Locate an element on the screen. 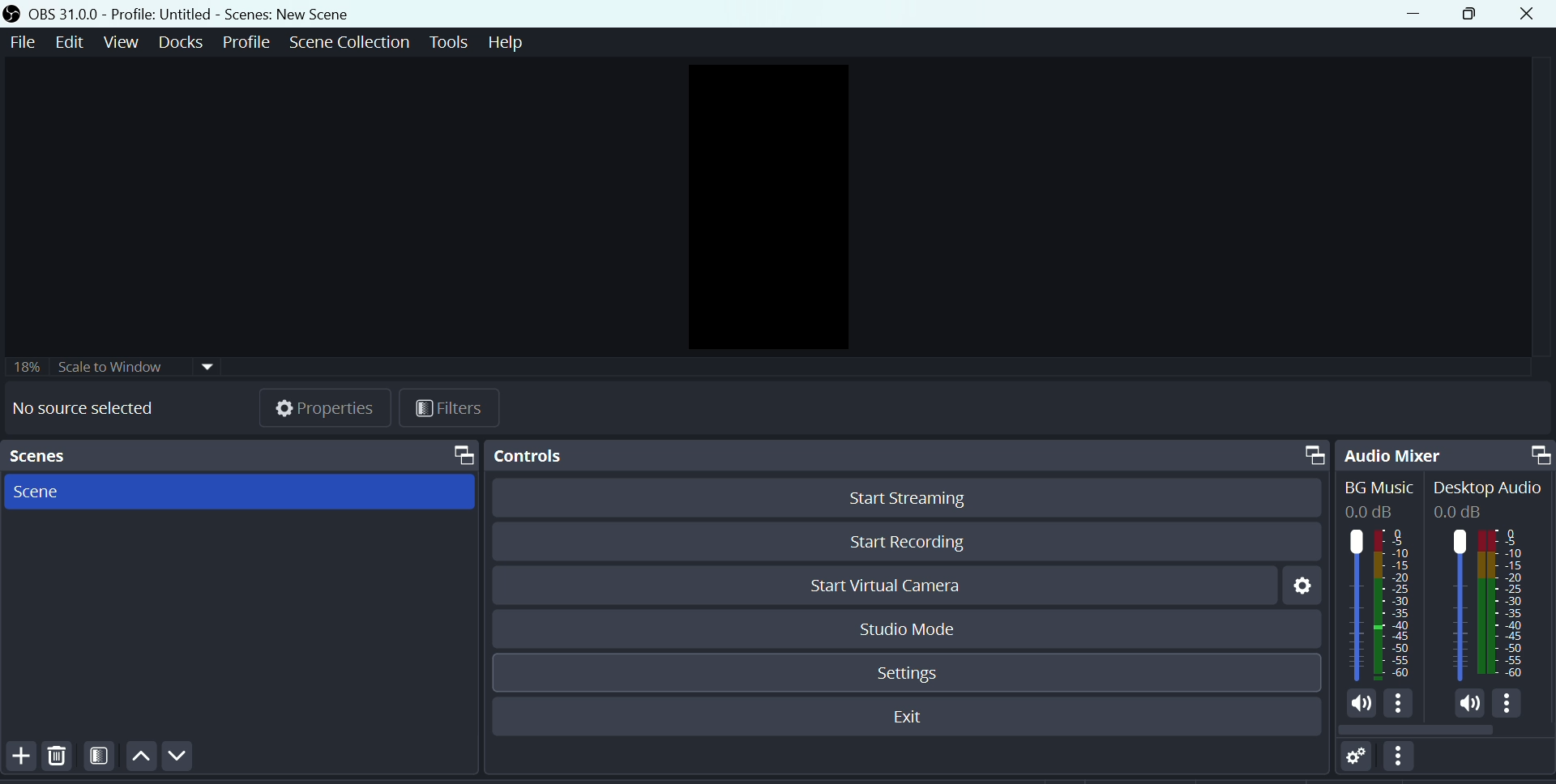 The width and height of the screenshot is (1556, 784). tools is located at coordinates (450, 43).